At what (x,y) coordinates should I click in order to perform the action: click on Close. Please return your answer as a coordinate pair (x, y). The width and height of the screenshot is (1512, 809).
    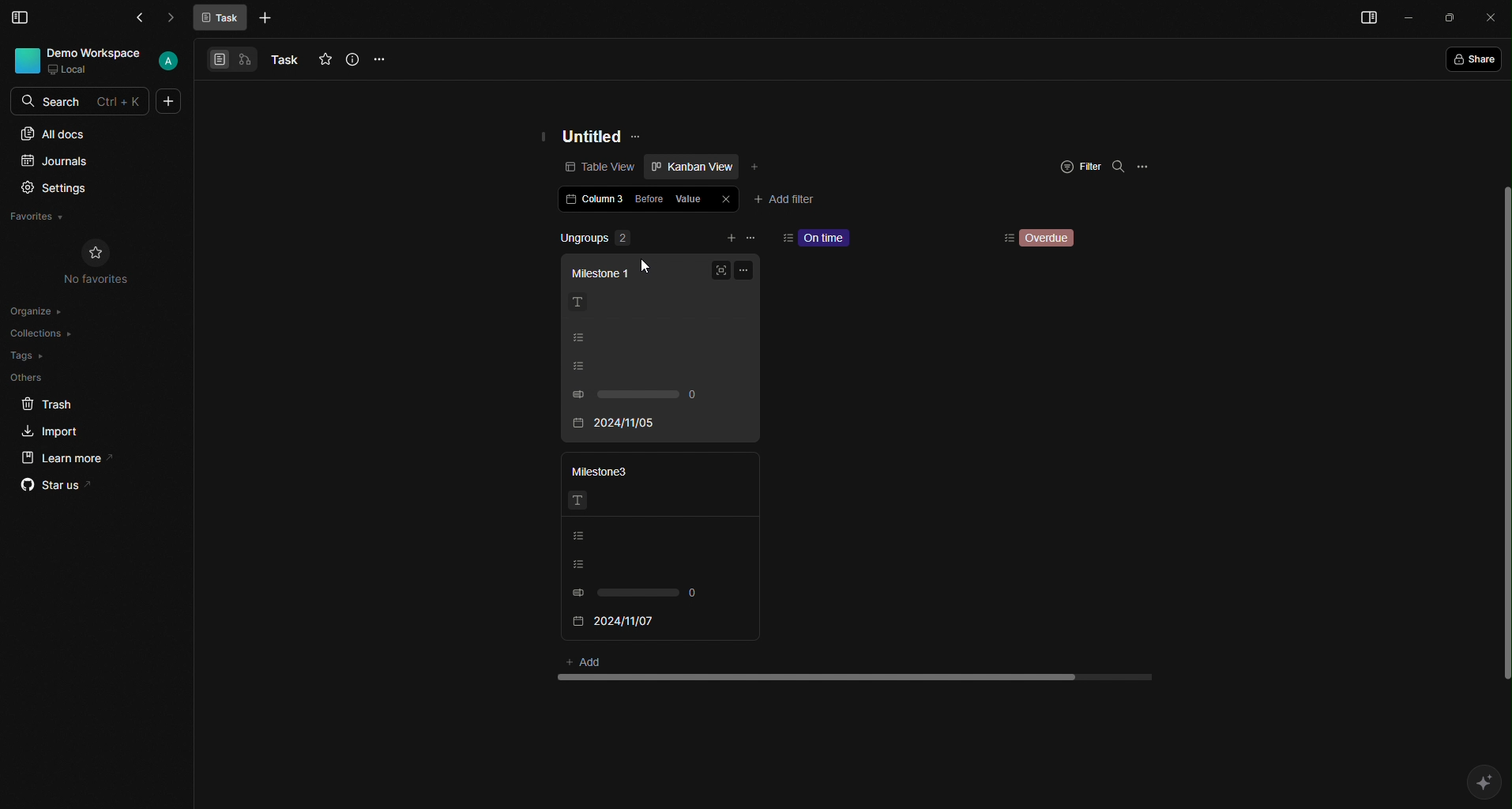
    Looking at the image, I should click on (724, 198).